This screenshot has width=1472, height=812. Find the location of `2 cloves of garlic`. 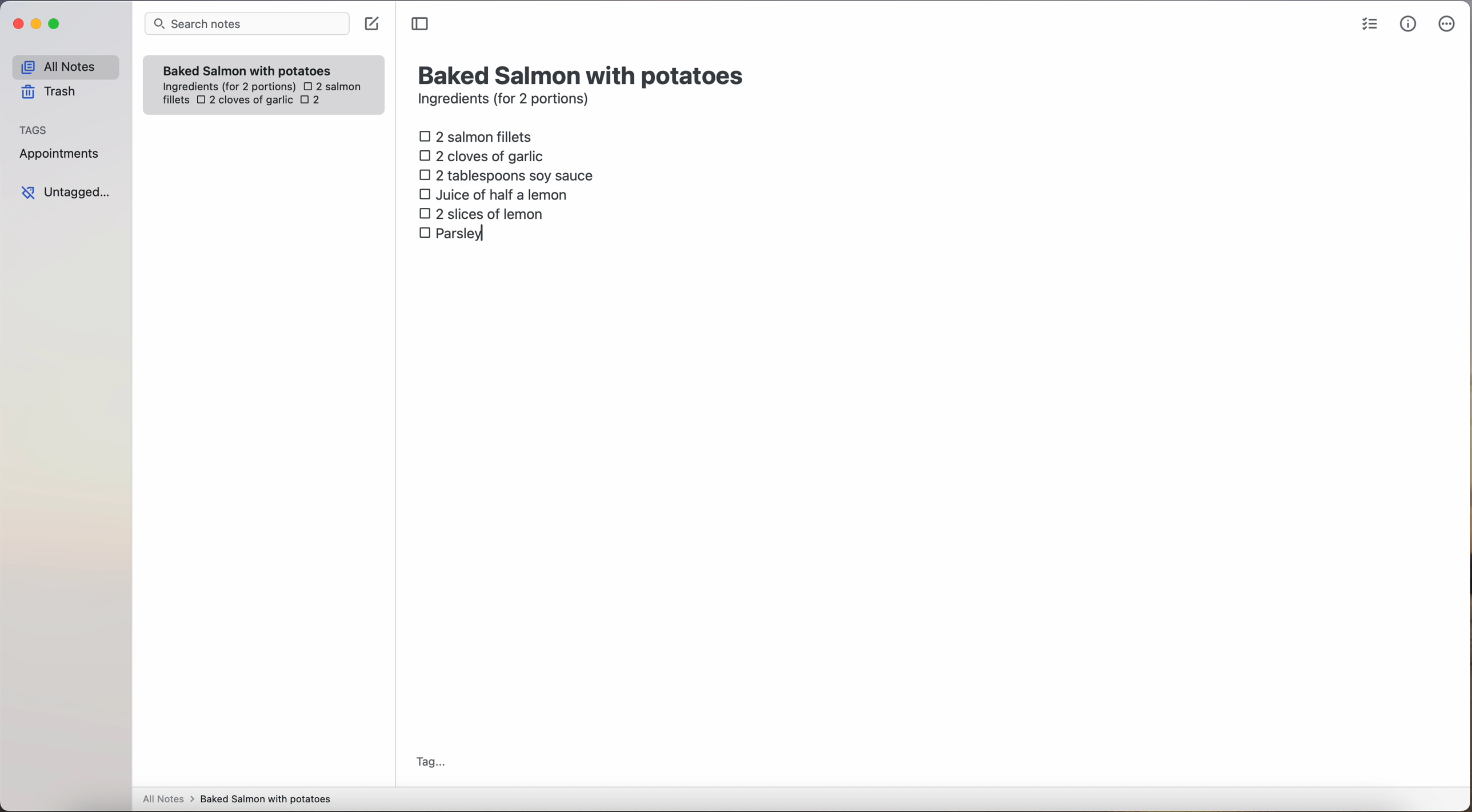

2 cloves of garlic is located at coordinates (245, 101).